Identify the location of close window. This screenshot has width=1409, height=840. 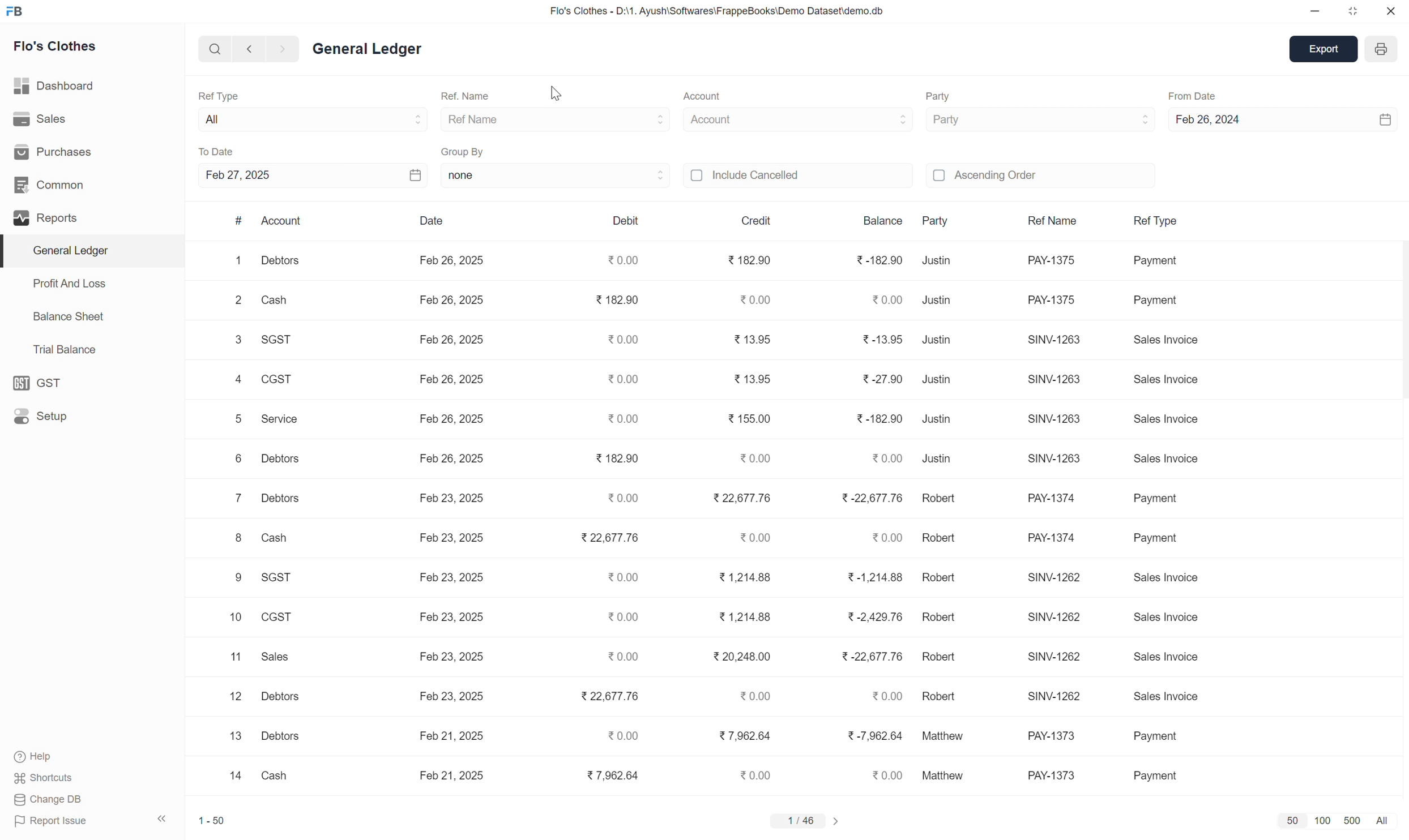
(1391, 12).